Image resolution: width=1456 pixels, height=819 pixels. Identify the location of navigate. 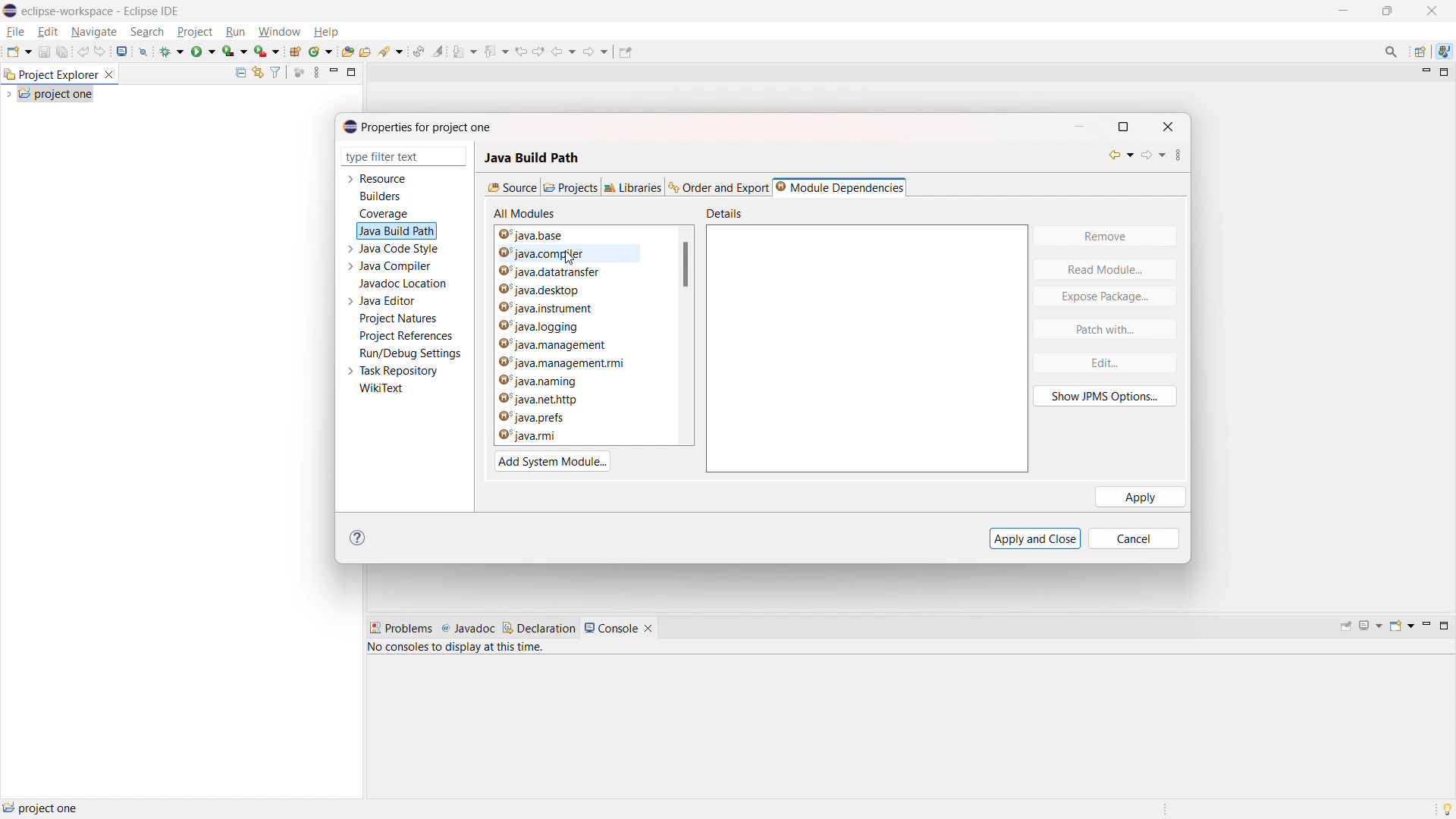
(93, 31).